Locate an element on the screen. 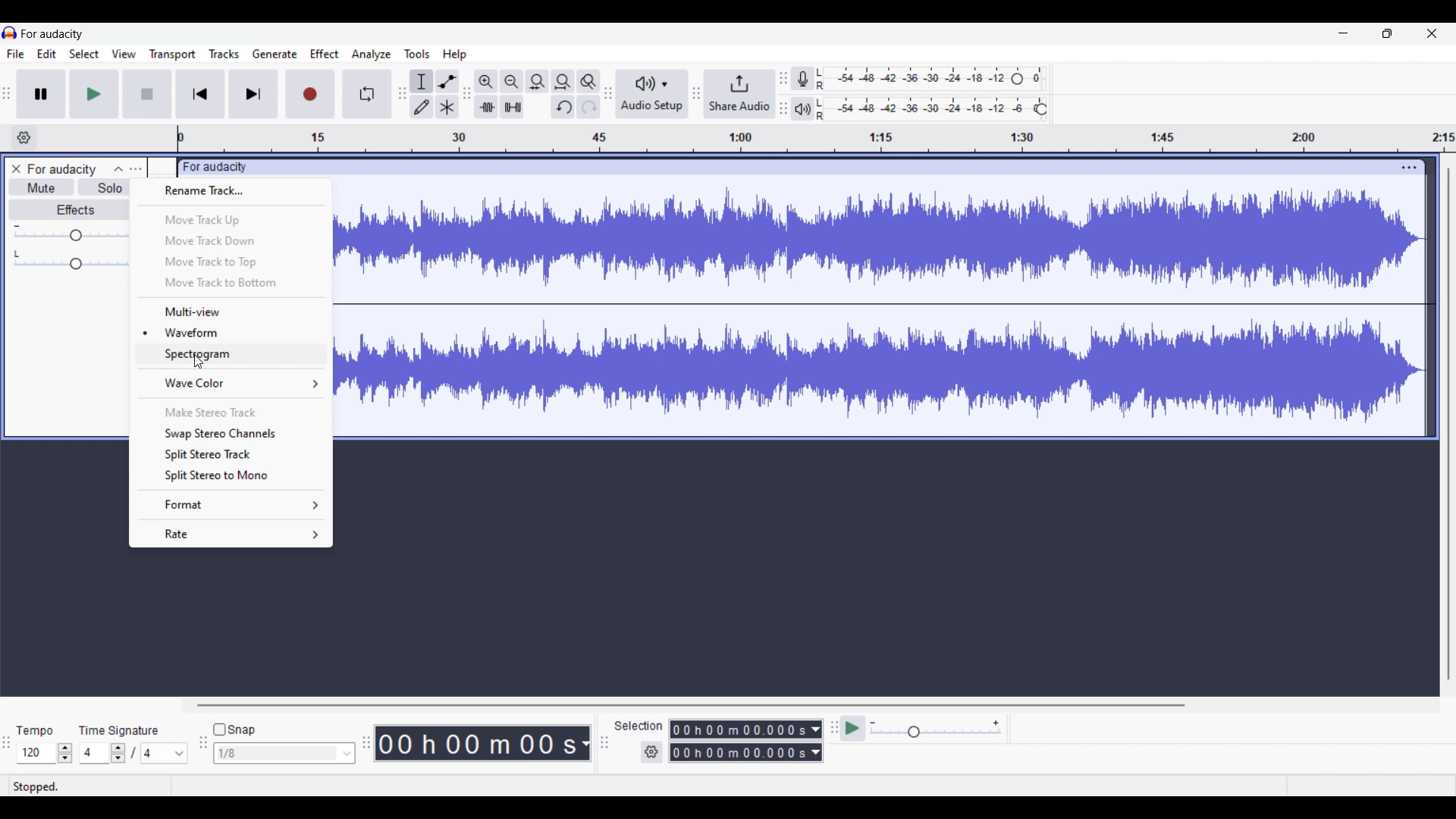 The width and height of the screenshot is (1456, 819). Current duration of track is located at coordinates (475, 743).